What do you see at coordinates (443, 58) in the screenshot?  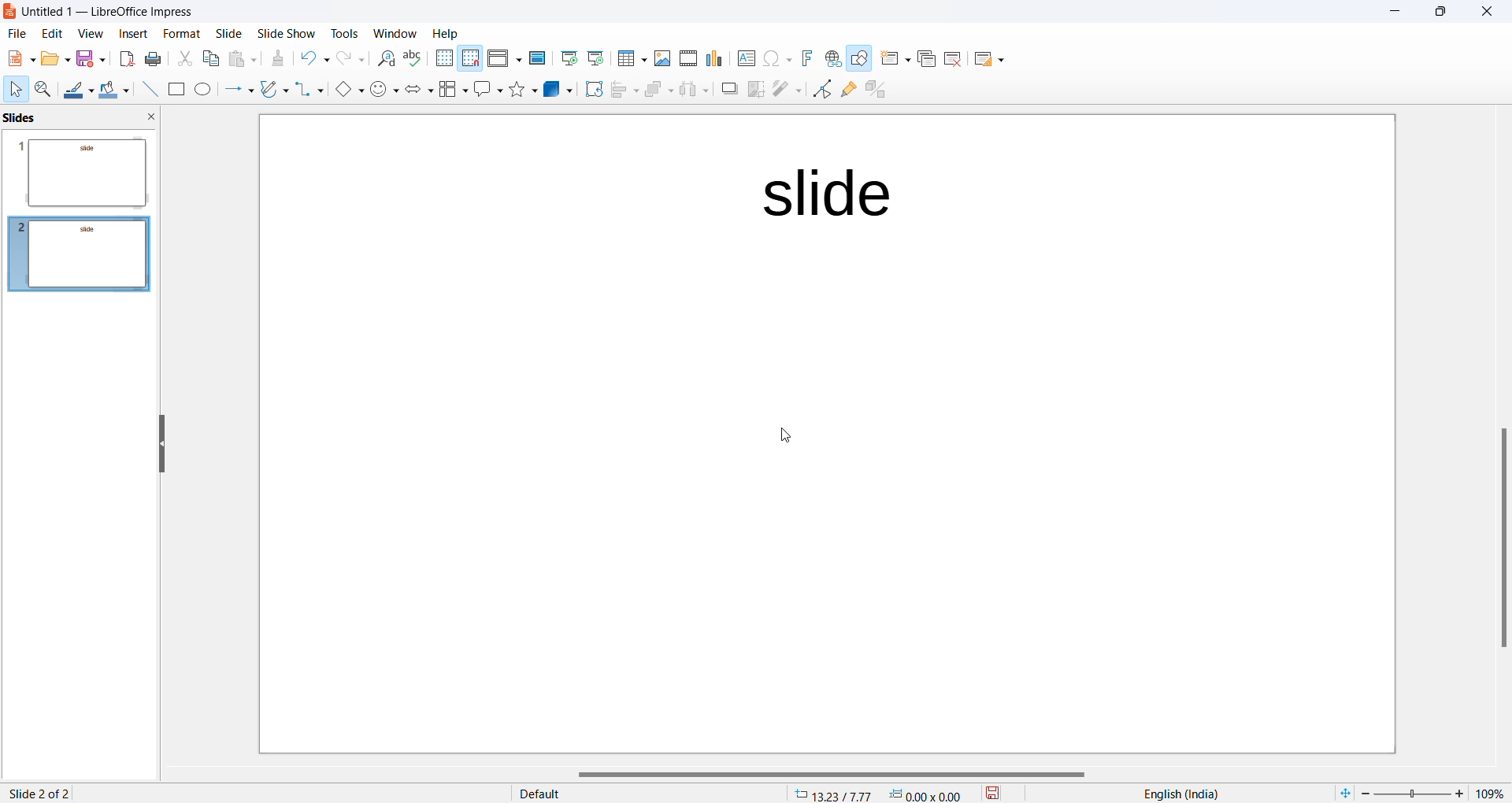 I see `Display grid` at bounding box center [443, 58].